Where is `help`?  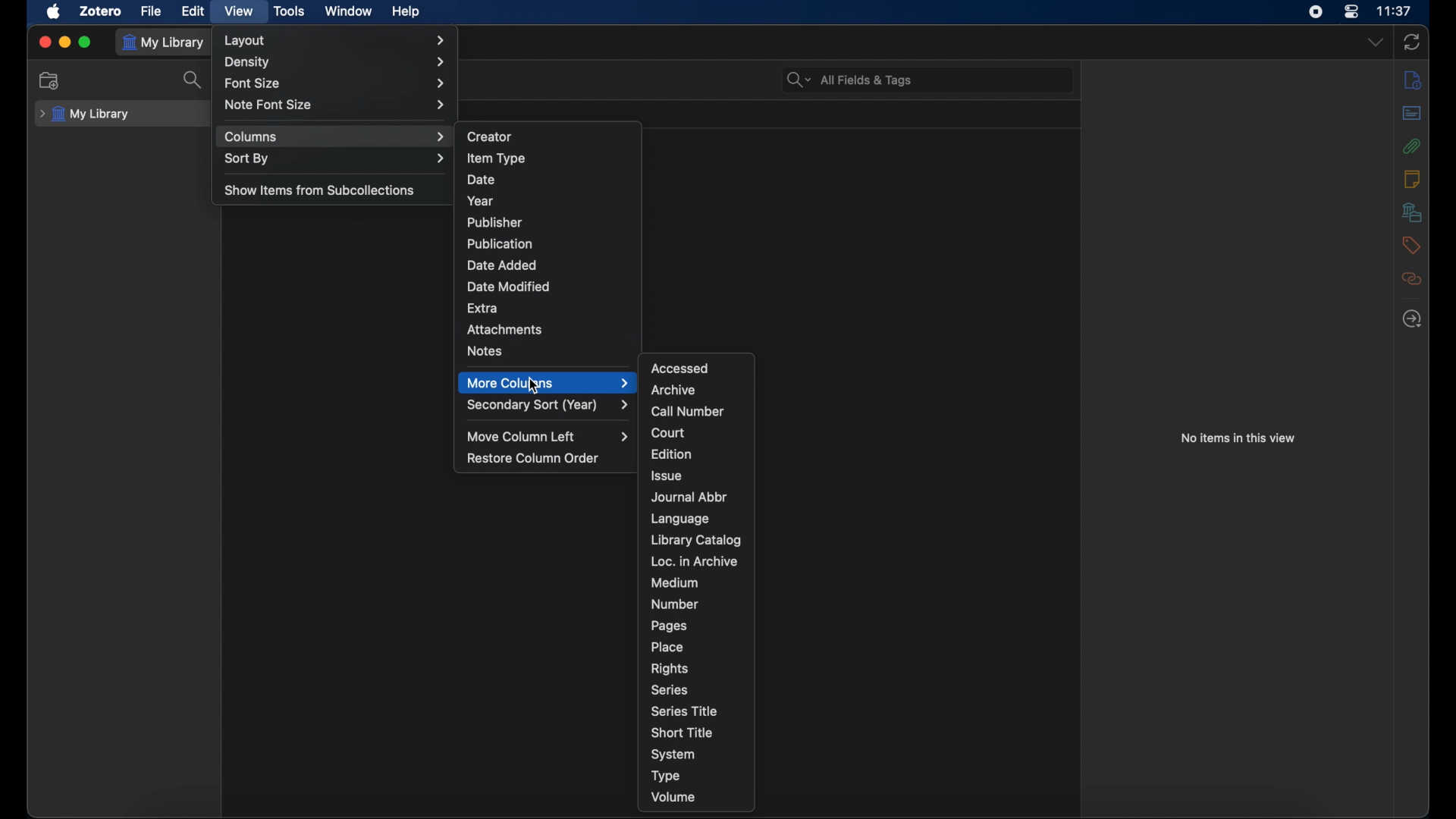
help is located at coordinates (406, 12).